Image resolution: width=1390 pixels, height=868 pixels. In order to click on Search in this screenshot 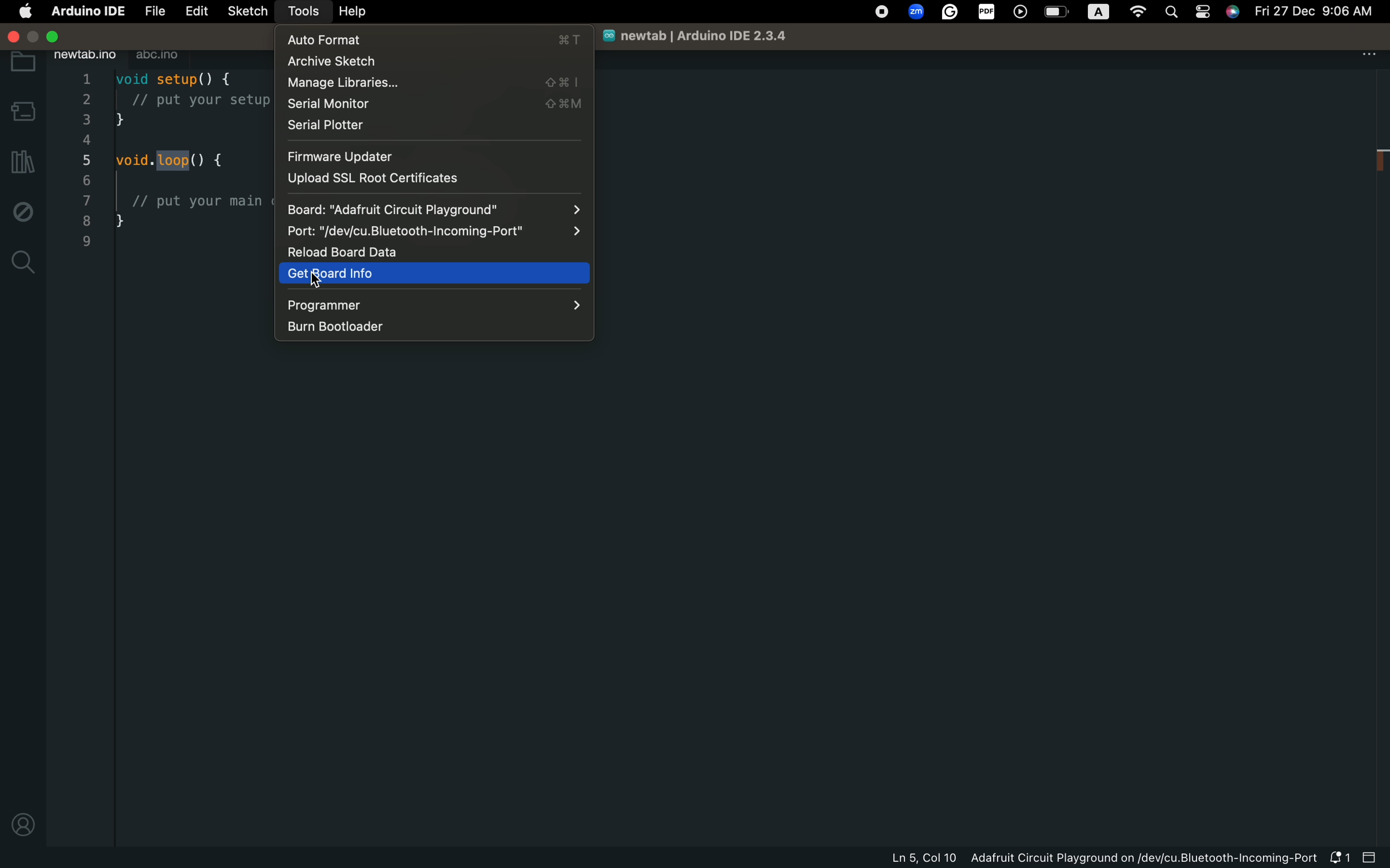, I will do `click(1172, 14)`.